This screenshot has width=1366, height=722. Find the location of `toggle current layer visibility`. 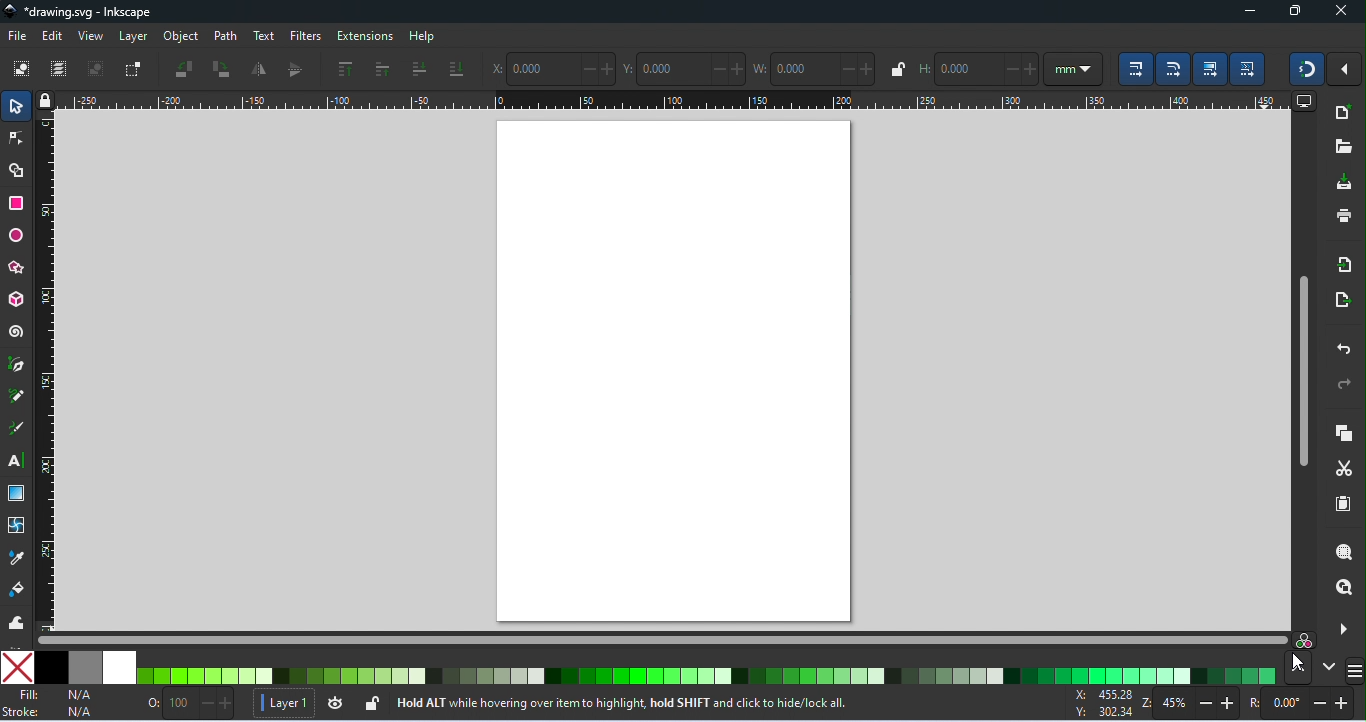

toggle current layer visibility is located at coordinates (334, 702).